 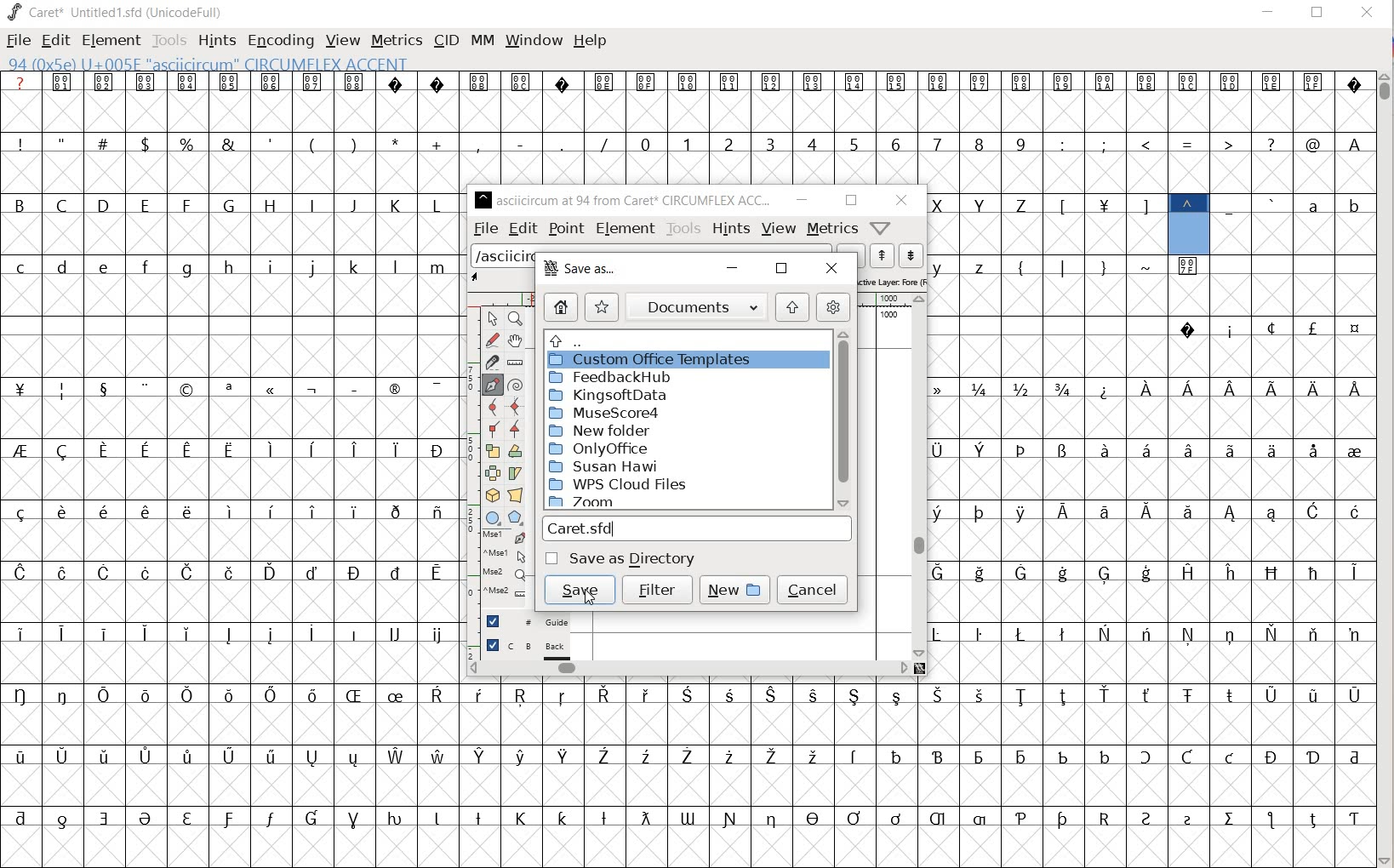 What do you see at coordinates (109, 40) in the screenshot?
I see `ELEMENT` at bounding box center [109, 40].